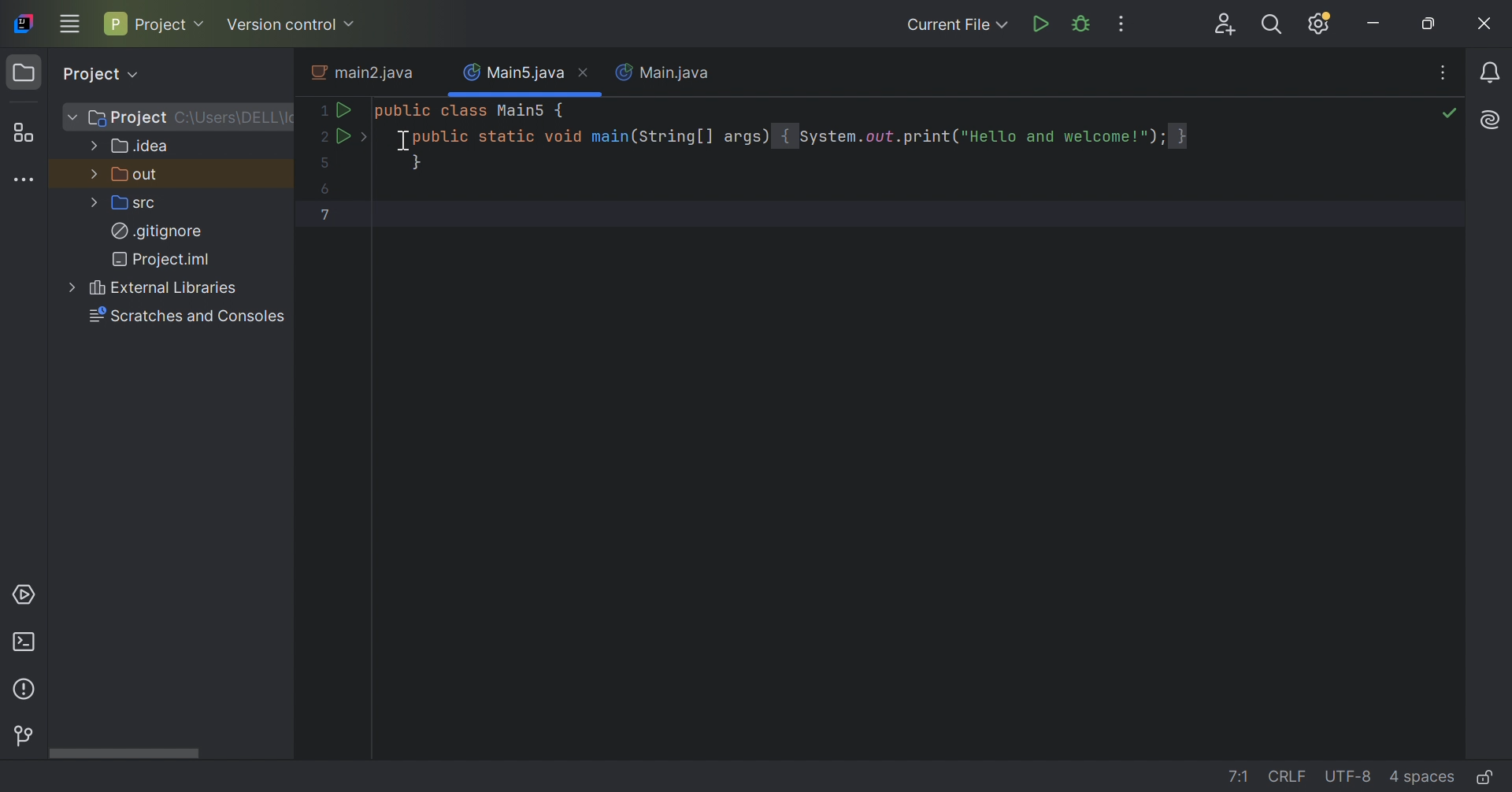 This screenshot has height=792, width=1512. Describe the element at coordinates (1083, 22) in the screenshot. I see `ebug` at that location.